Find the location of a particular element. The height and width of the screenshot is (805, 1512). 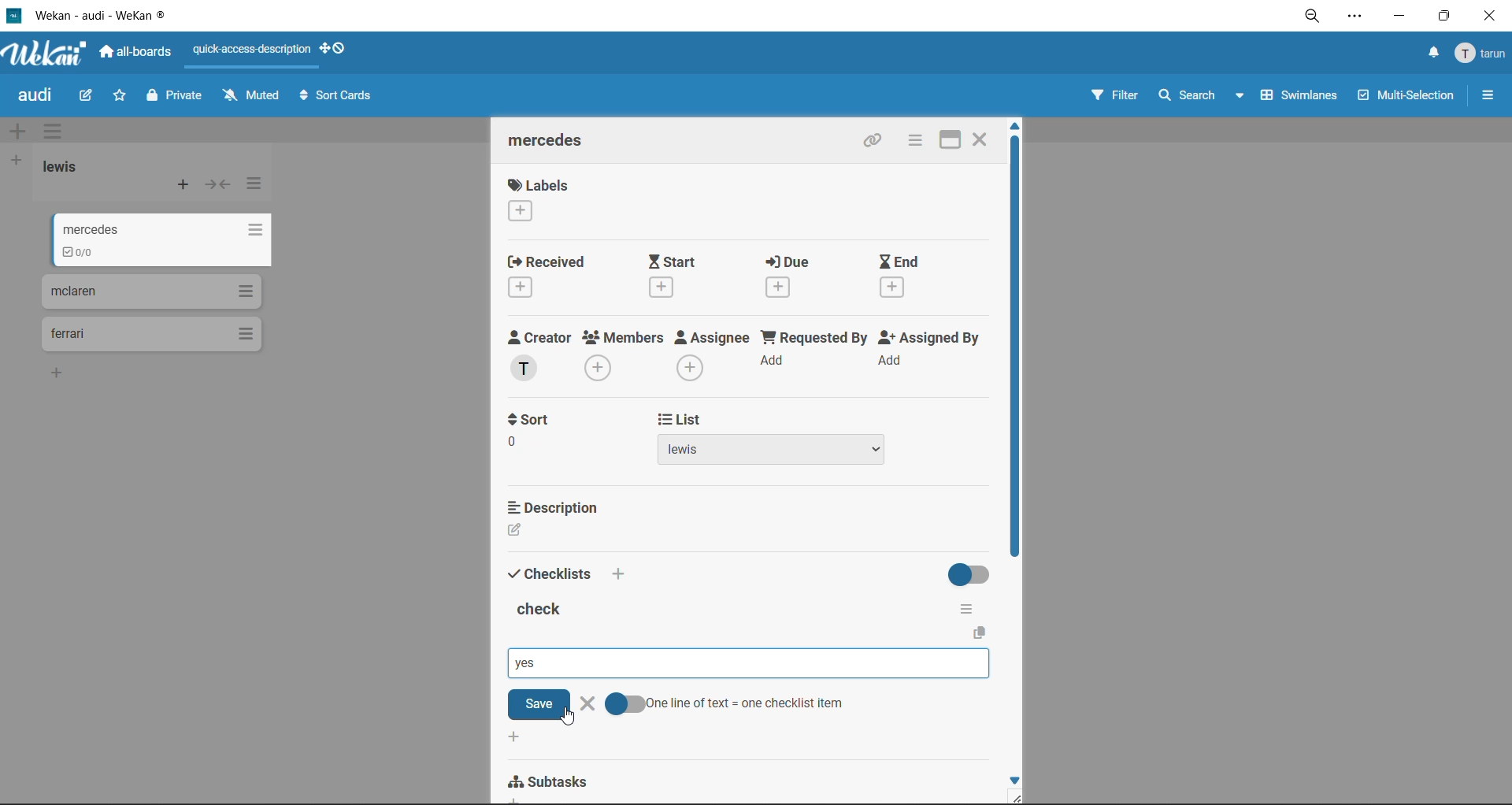

start is located at coordinates (684, 276).